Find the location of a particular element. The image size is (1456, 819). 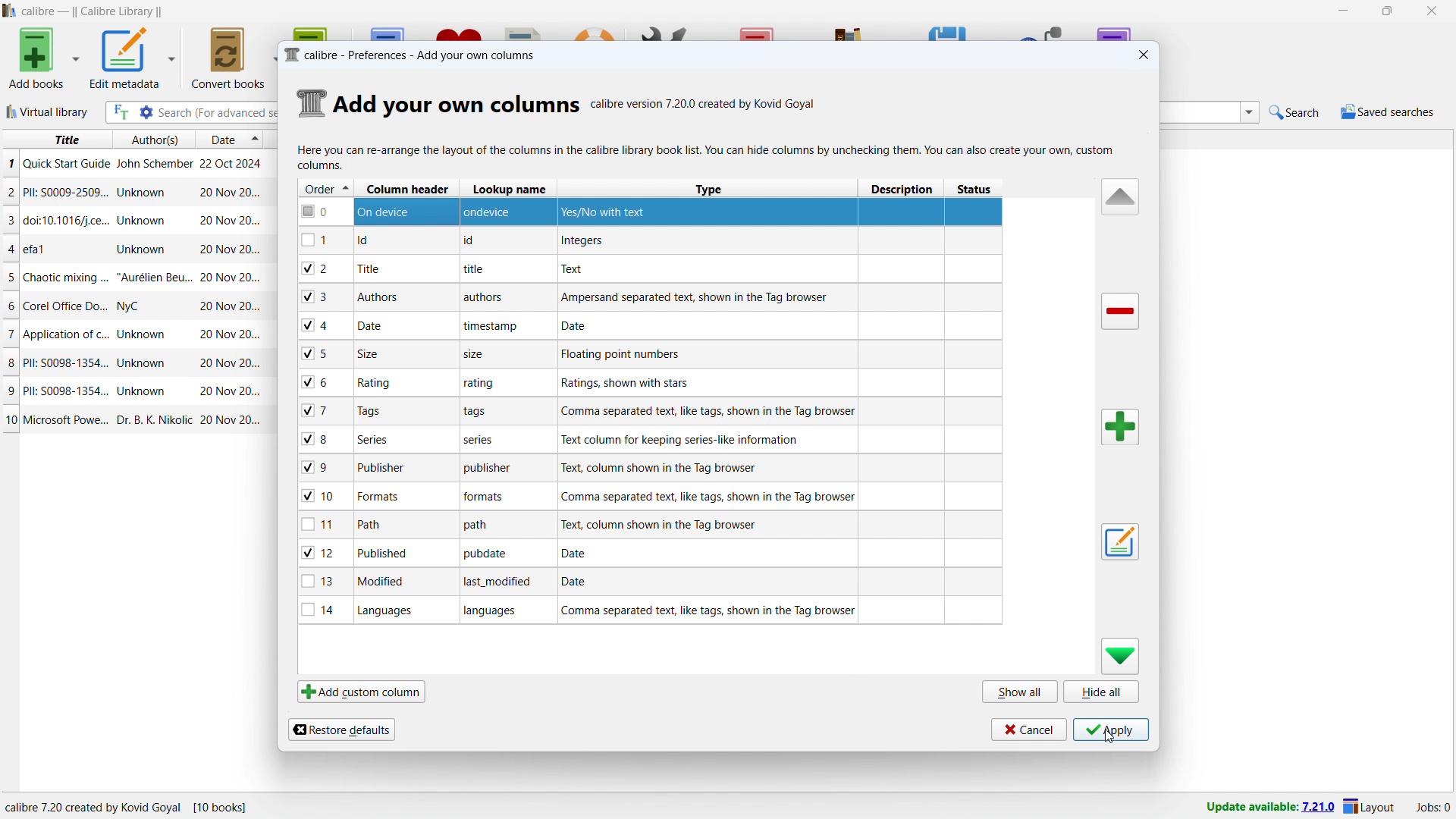

layout is located at coordinates (1370, 806).